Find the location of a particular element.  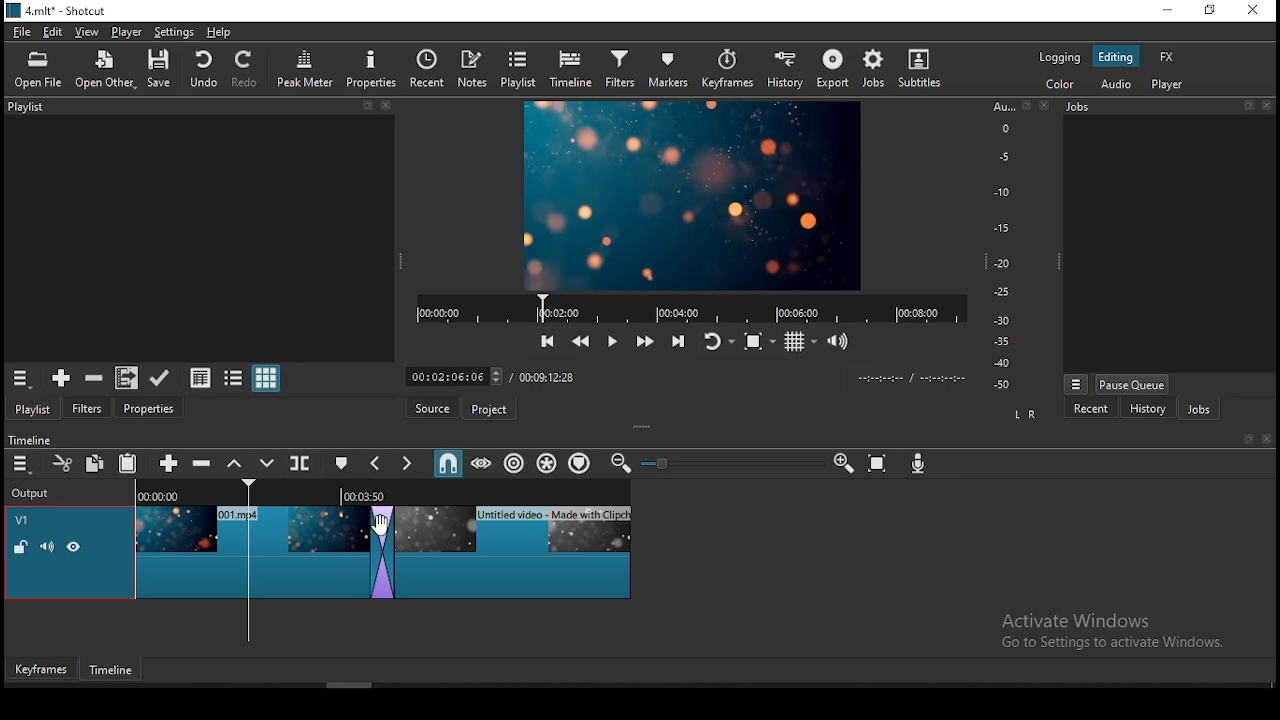

cut is located at coordinates (61, 462).